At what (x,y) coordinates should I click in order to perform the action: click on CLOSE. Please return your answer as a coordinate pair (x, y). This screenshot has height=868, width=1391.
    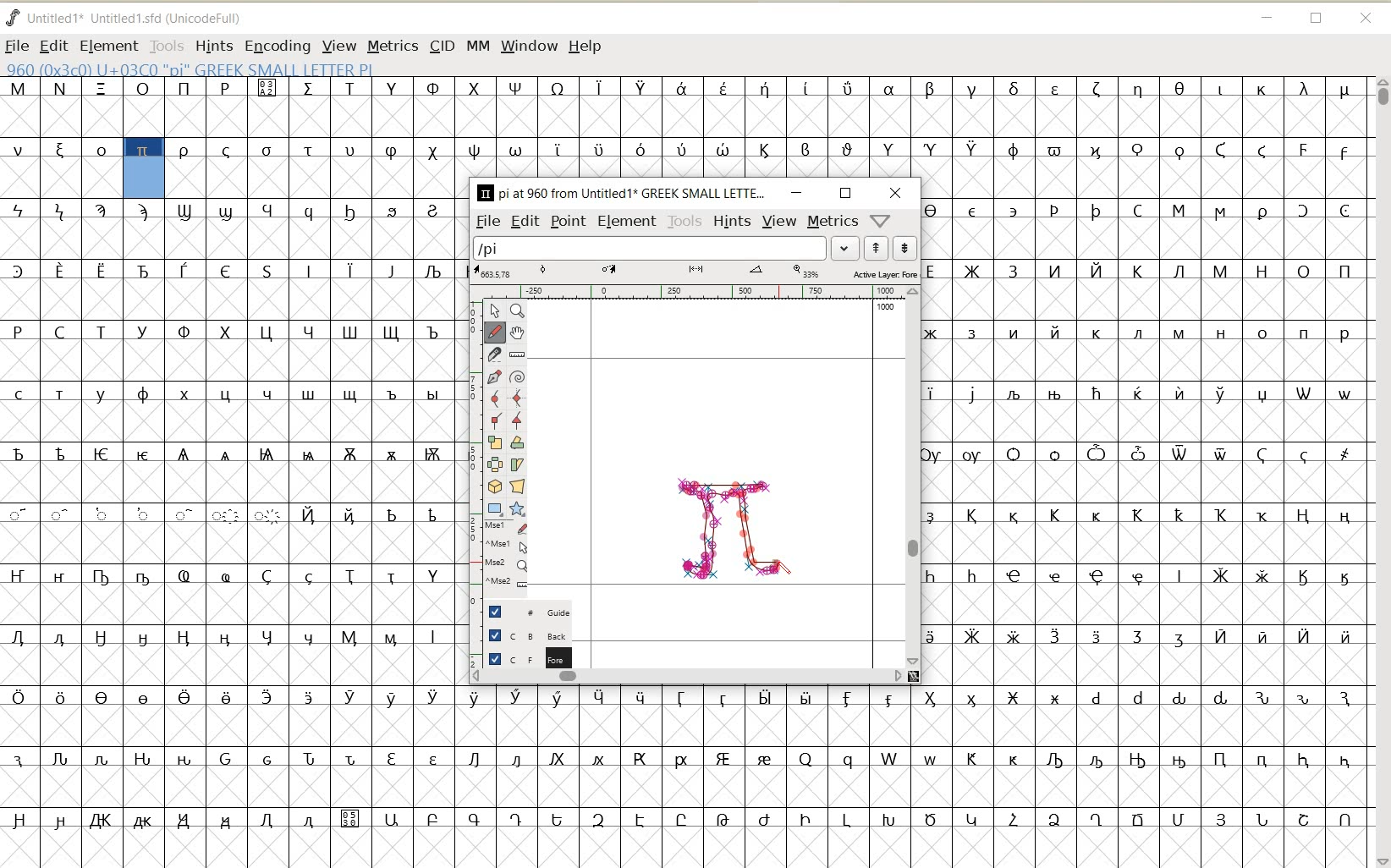
    Looking at the image, I should click on (898, 194).